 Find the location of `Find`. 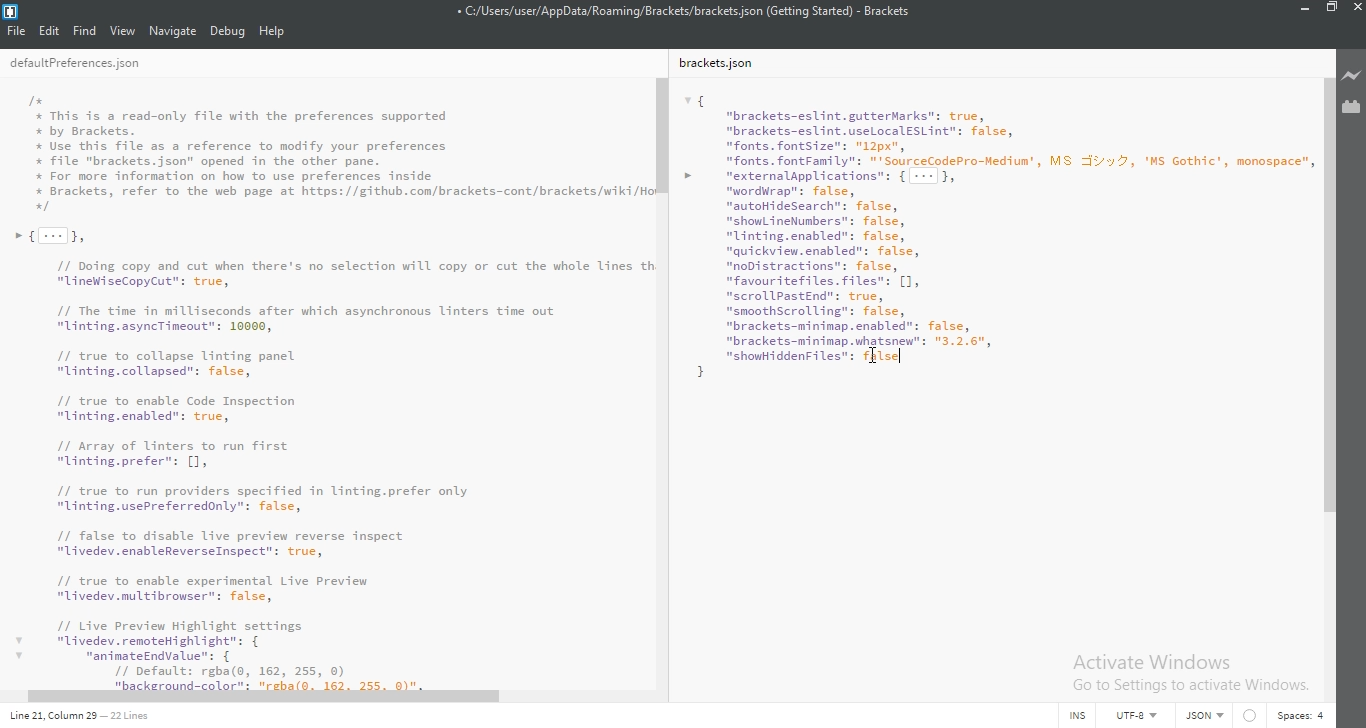

Find is located at coordinates (84, 31).